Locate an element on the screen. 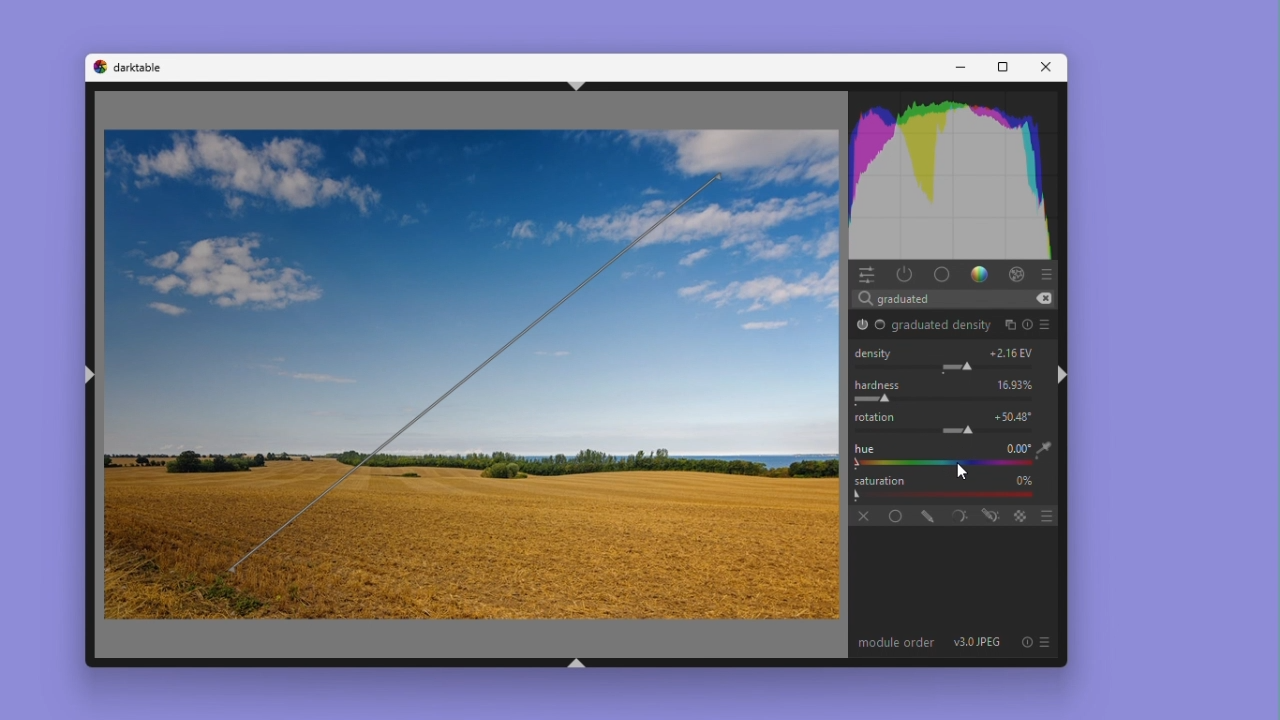 The image size is (1280, 720). blending options is located at coordinates (1021, 515).